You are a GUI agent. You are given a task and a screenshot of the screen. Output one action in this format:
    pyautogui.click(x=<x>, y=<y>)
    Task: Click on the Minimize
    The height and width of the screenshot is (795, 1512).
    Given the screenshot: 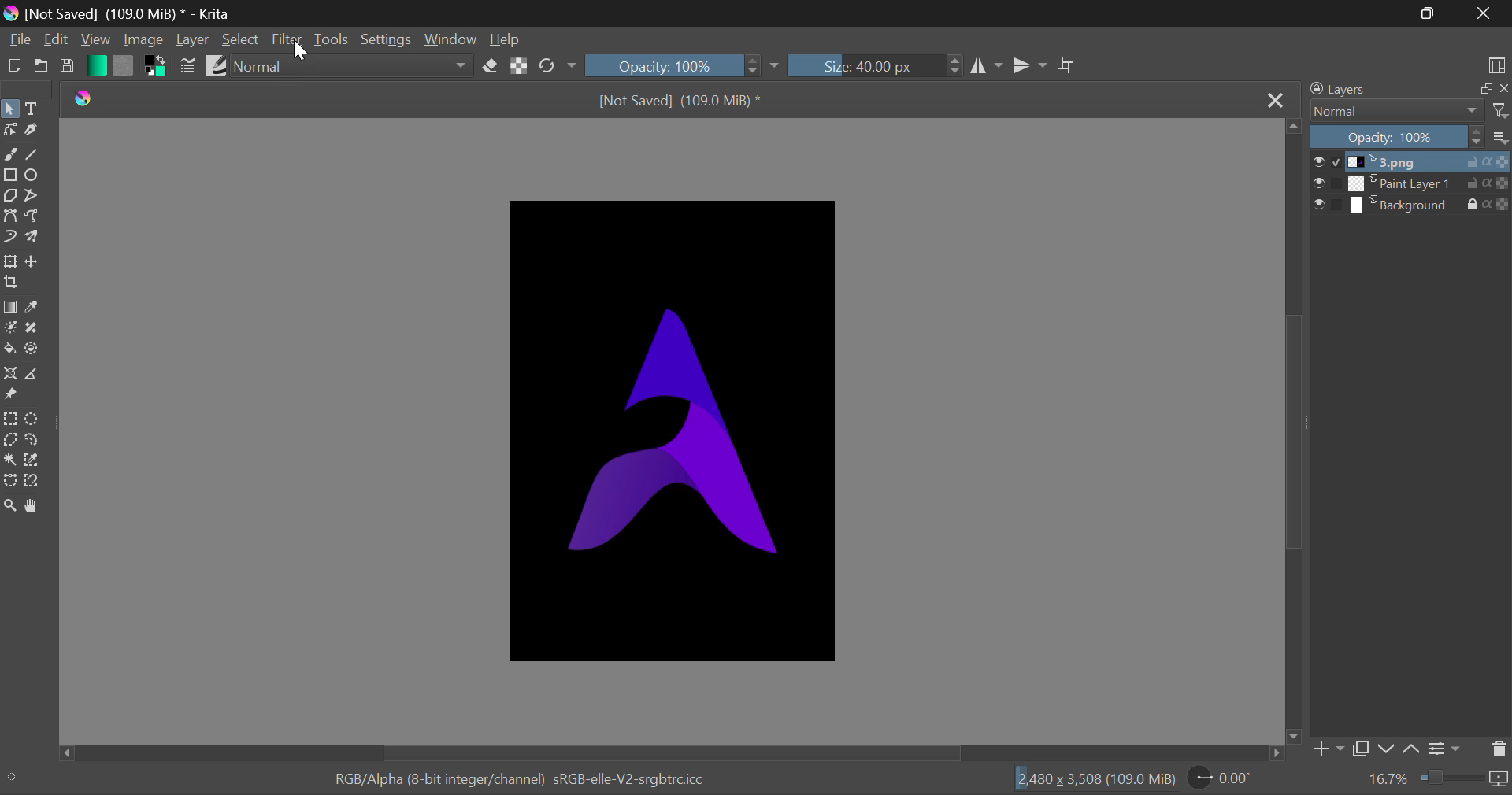 What is the action you would take?
    pyautogui.click(x=1427, y=13)
    